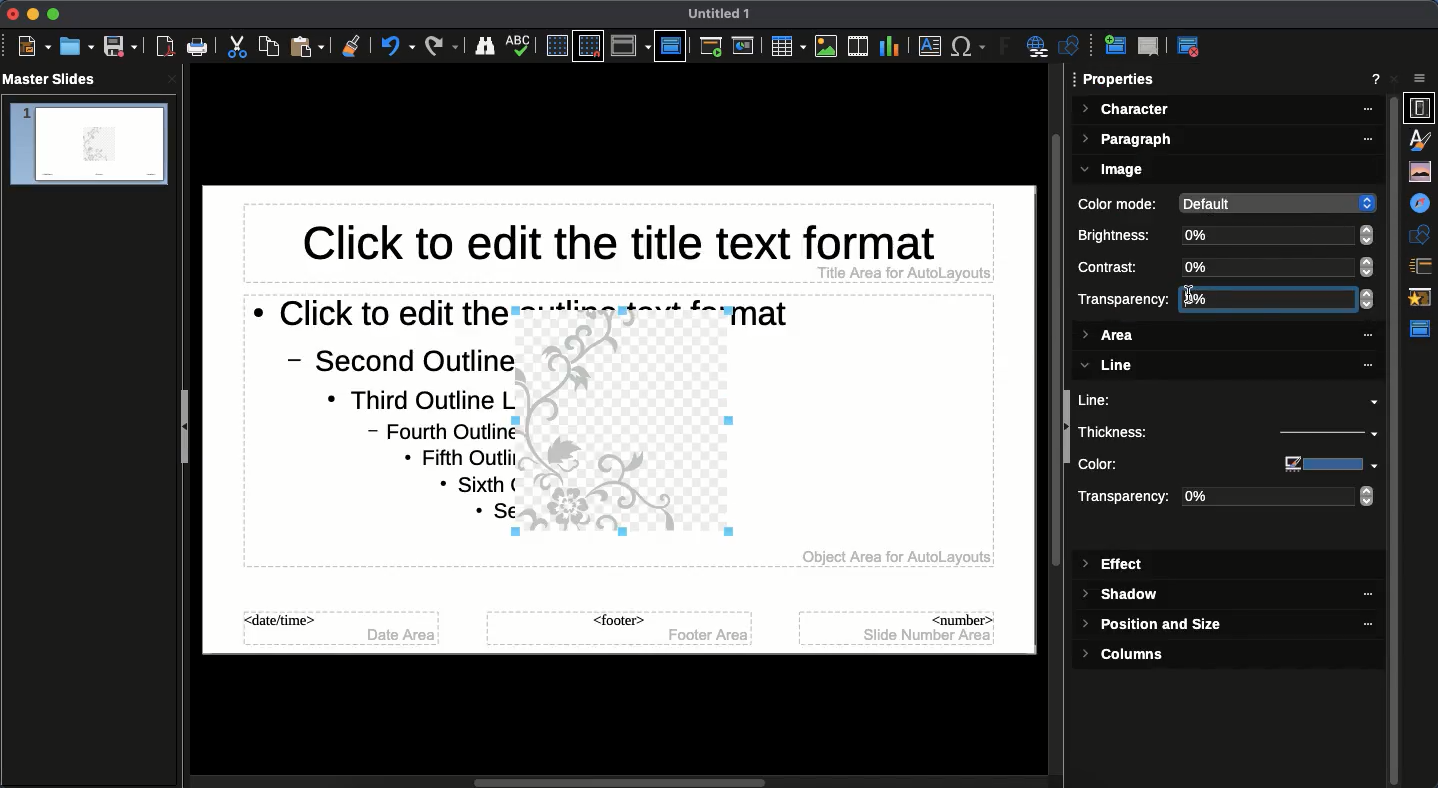 The height and width of the screenshot is (788, 1438). I want to click on properties scroll bar, so click(1395, 459).